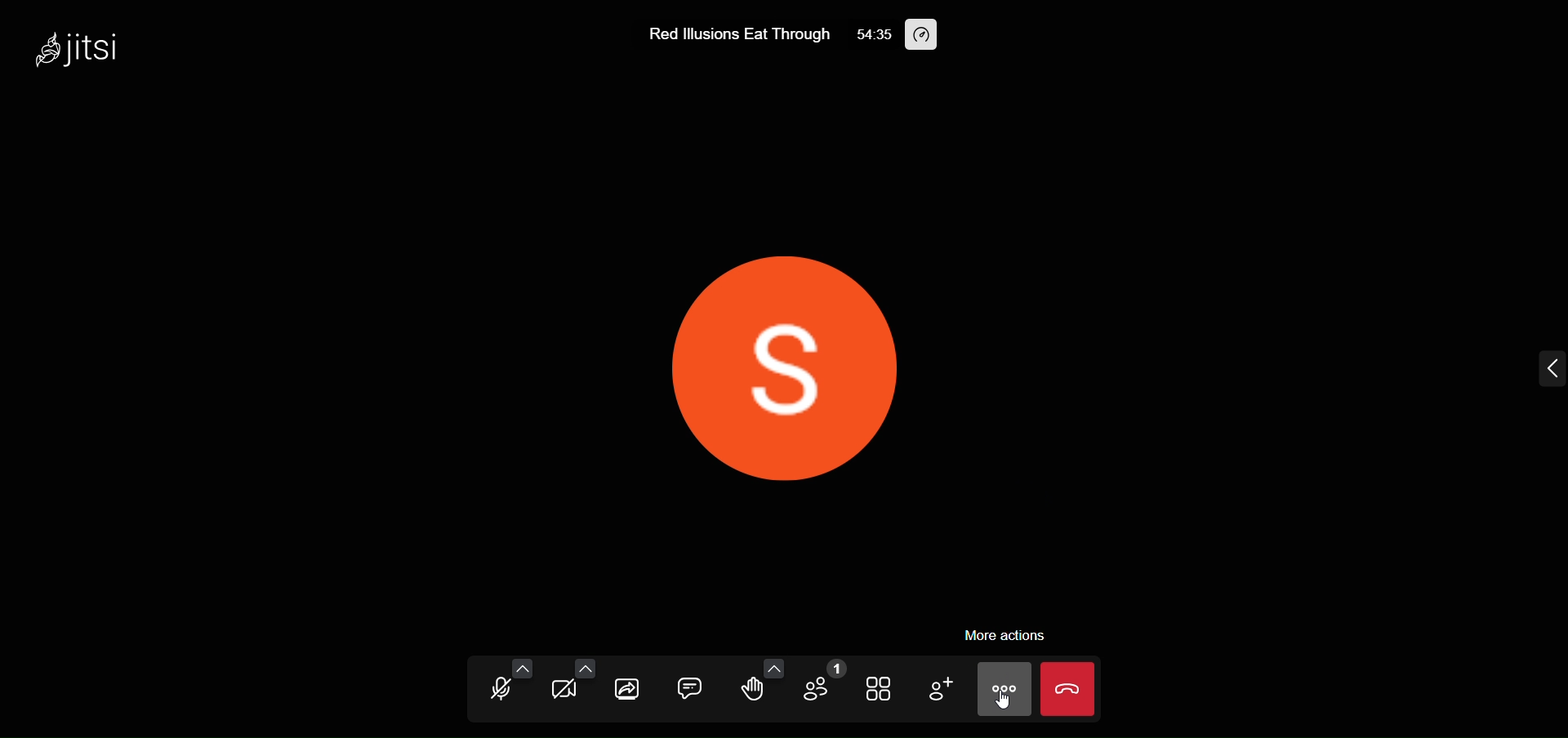 This screenshot has height=738, width=1568. I want to click on more camera option, so click(587, 667).